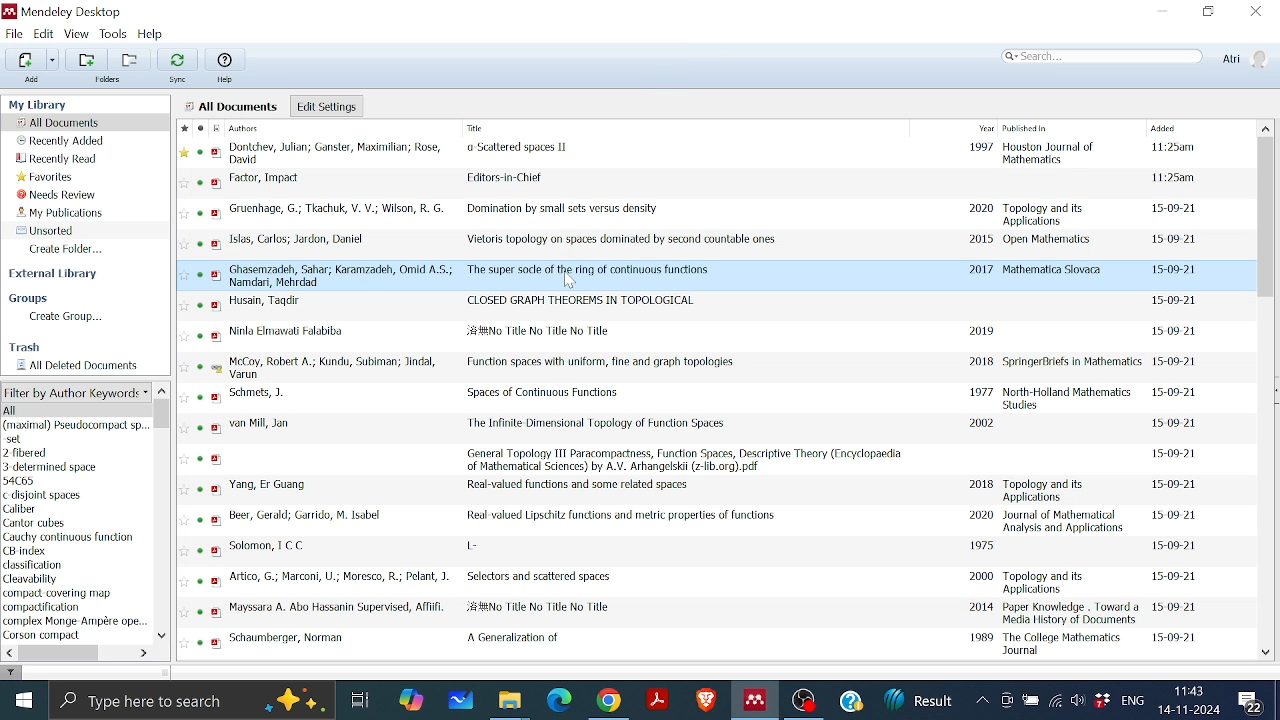  Describe the element at coordinates (11, 411) in the screenshot. I see `All` at that location.